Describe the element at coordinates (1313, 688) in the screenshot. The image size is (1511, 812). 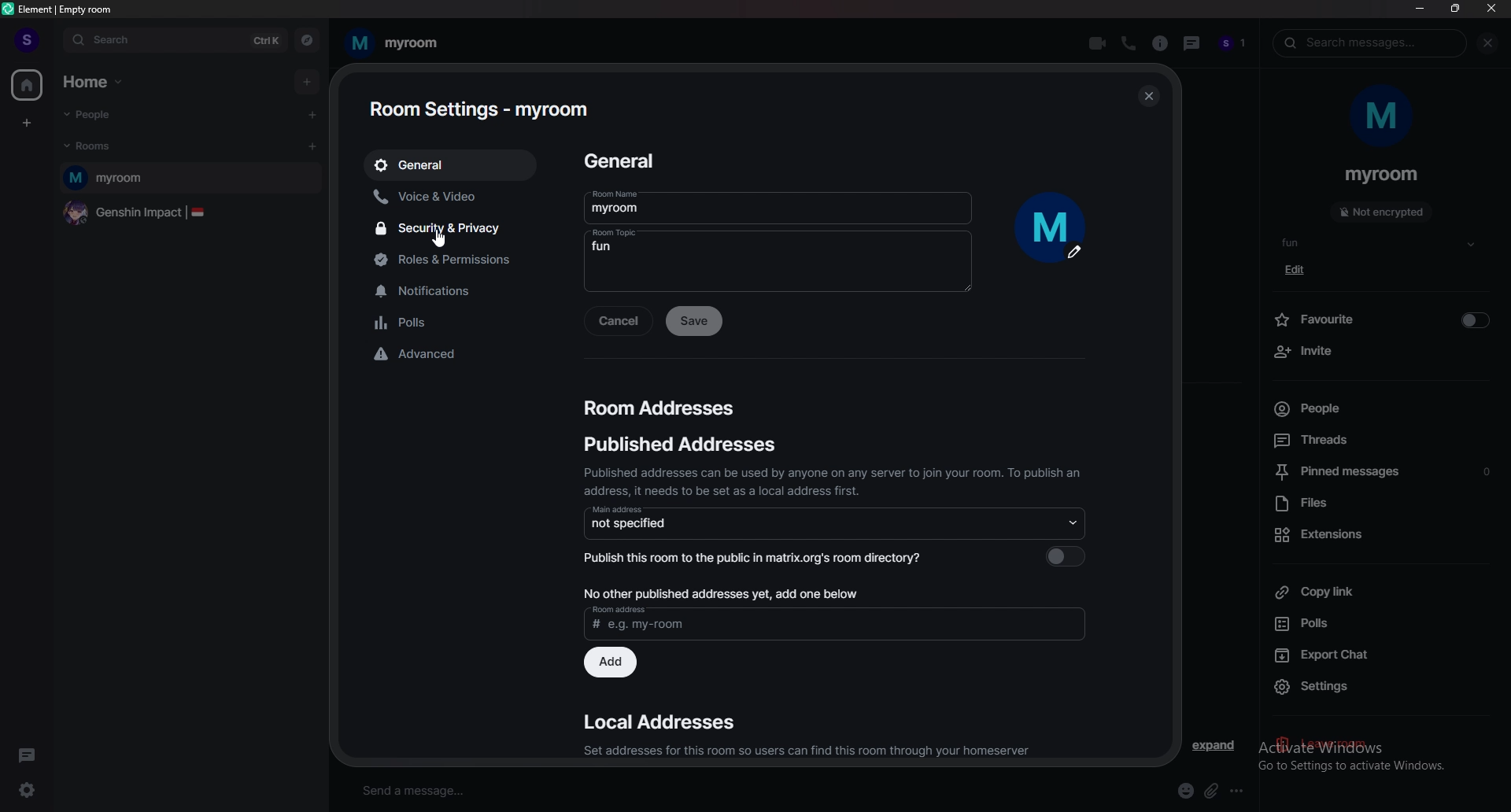
I see `settings` at that location.